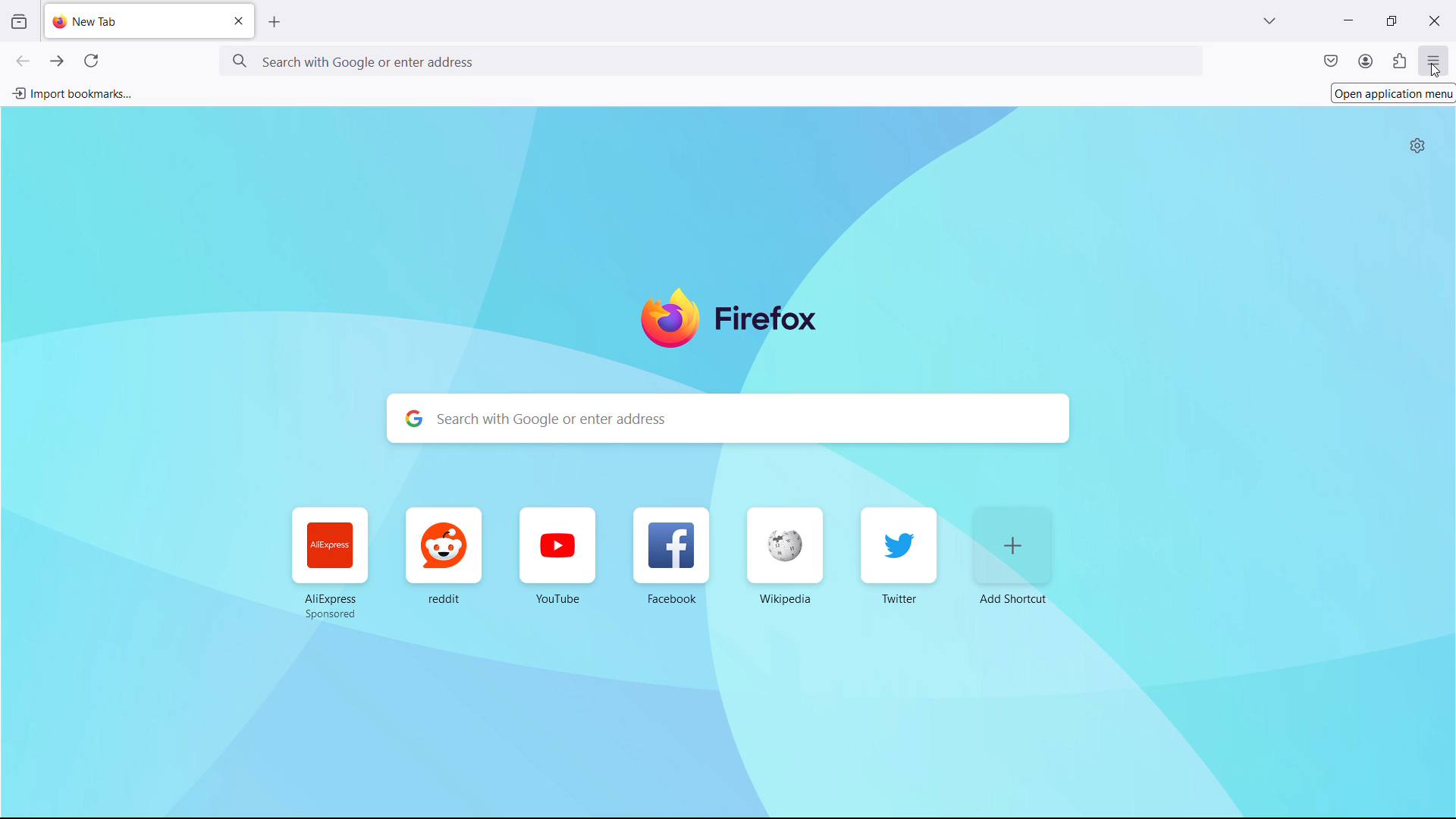  What do you see at coordinates (1388, 21) in the screenshot?
I see `maximize` at bounding box center [1388, 21].